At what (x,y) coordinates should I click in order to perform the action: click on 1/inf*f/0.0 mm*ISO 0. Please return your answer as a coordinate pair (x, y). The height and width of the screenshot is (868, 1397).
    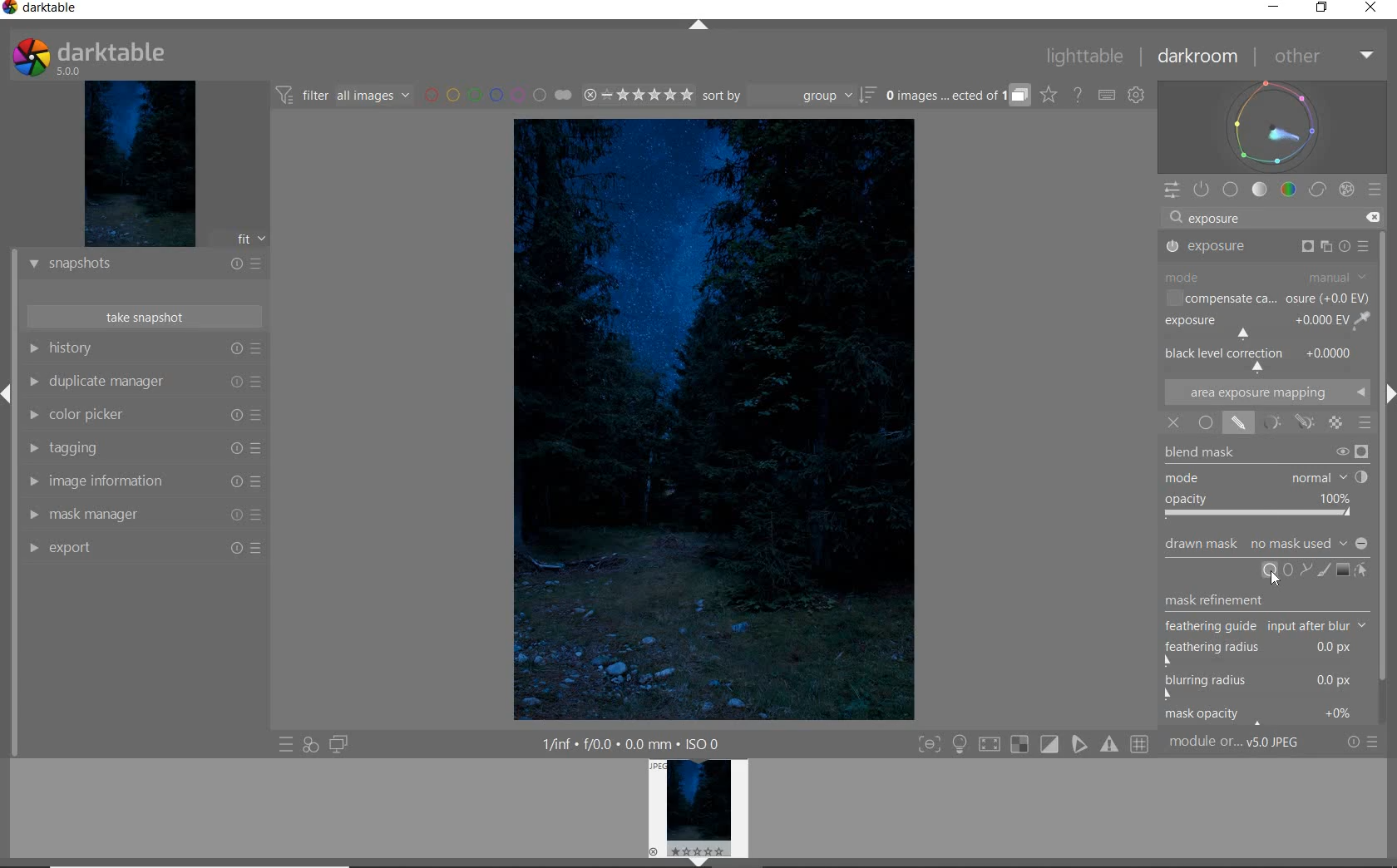
    Looking at the image, I should click on (627, 742).